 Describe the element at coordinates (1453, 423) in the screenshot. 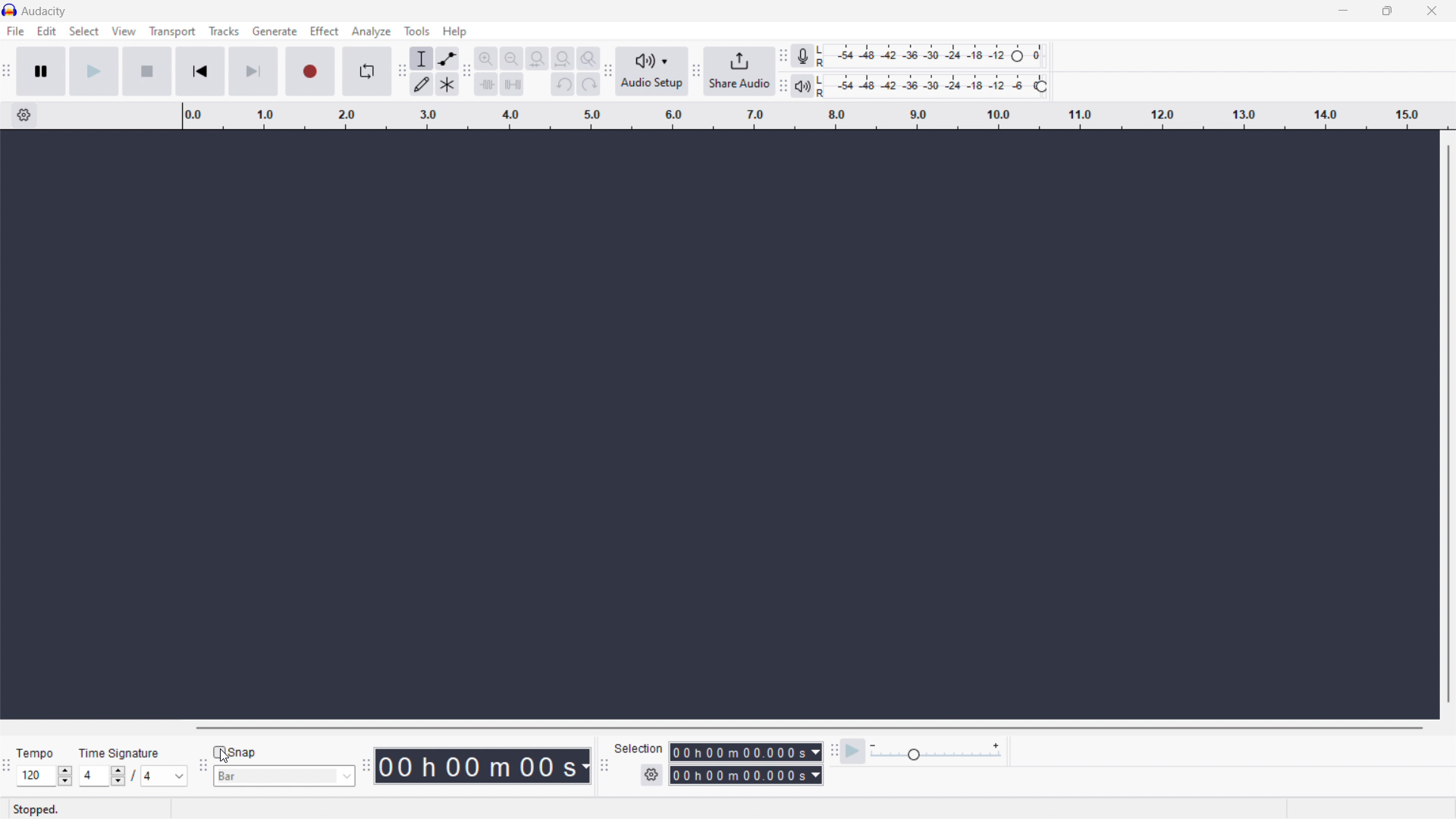

I see `vertical scrollbar` at that location.